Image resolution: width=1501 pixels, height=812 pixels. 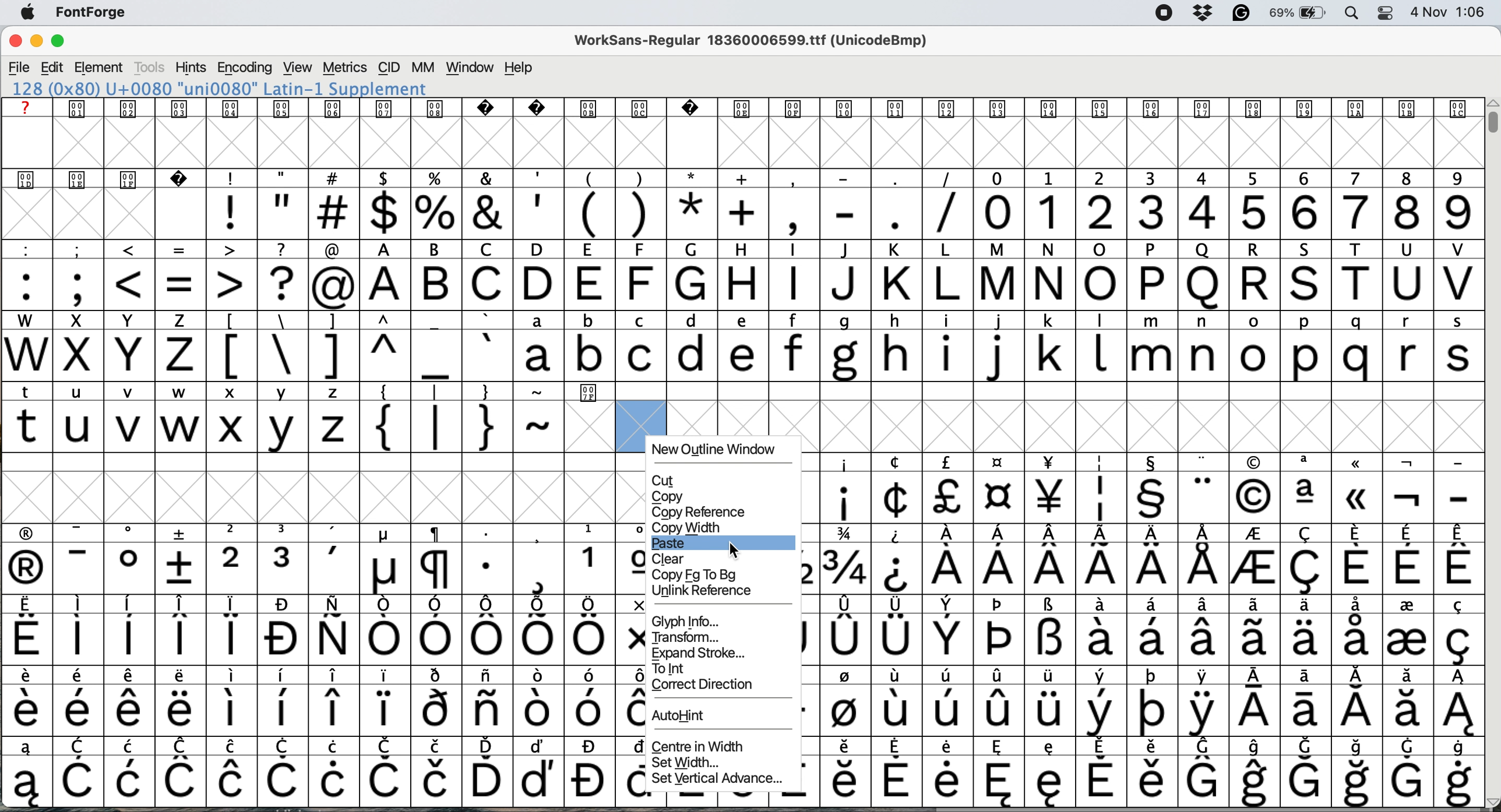 What do you see at coordinates (324, 495) in the screenshot?
I see `glyph grid` at bounding box center [324, 495].